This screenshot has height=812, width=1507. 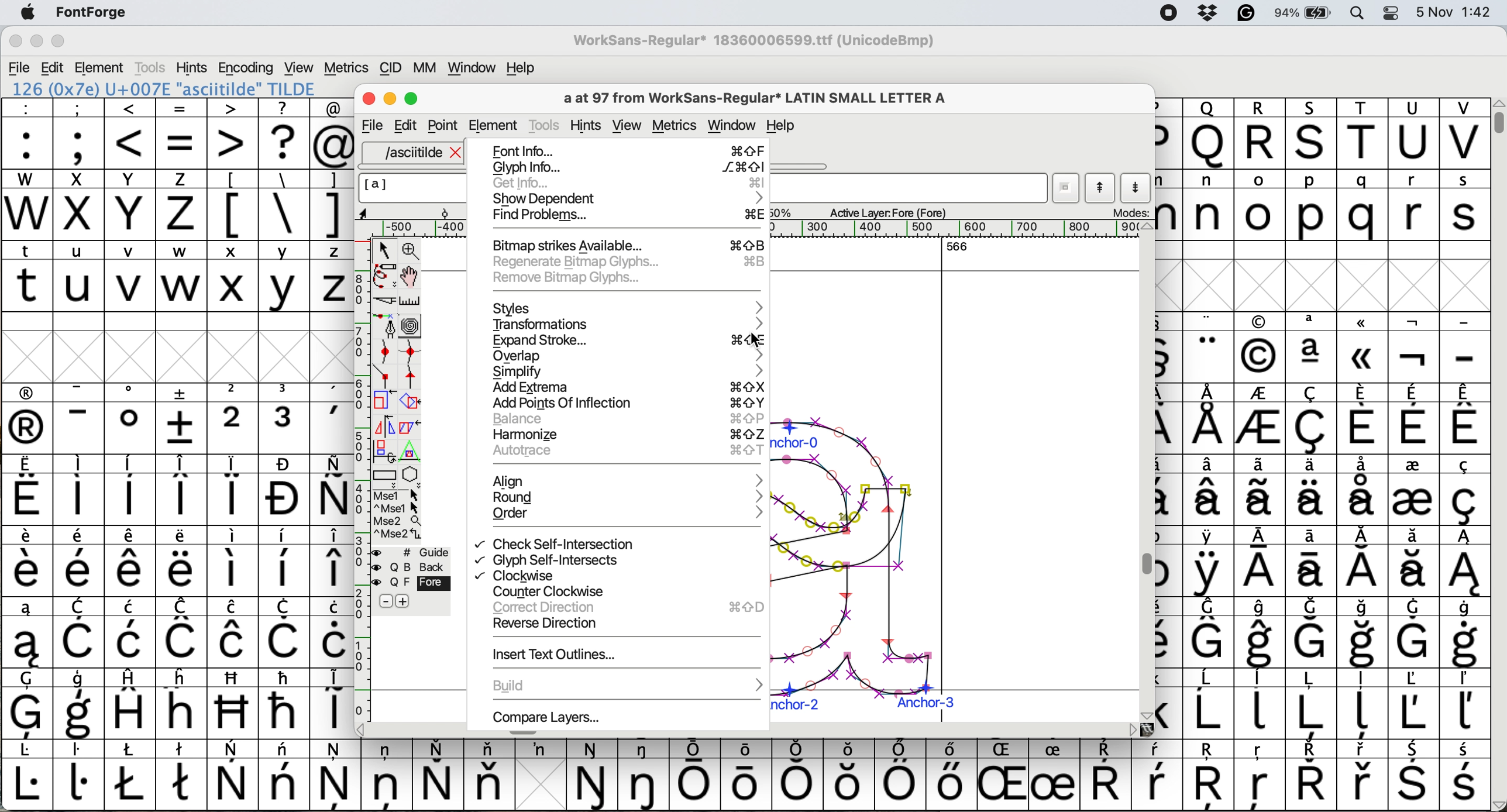 I want to click on U, so click(x=1413, y=134).